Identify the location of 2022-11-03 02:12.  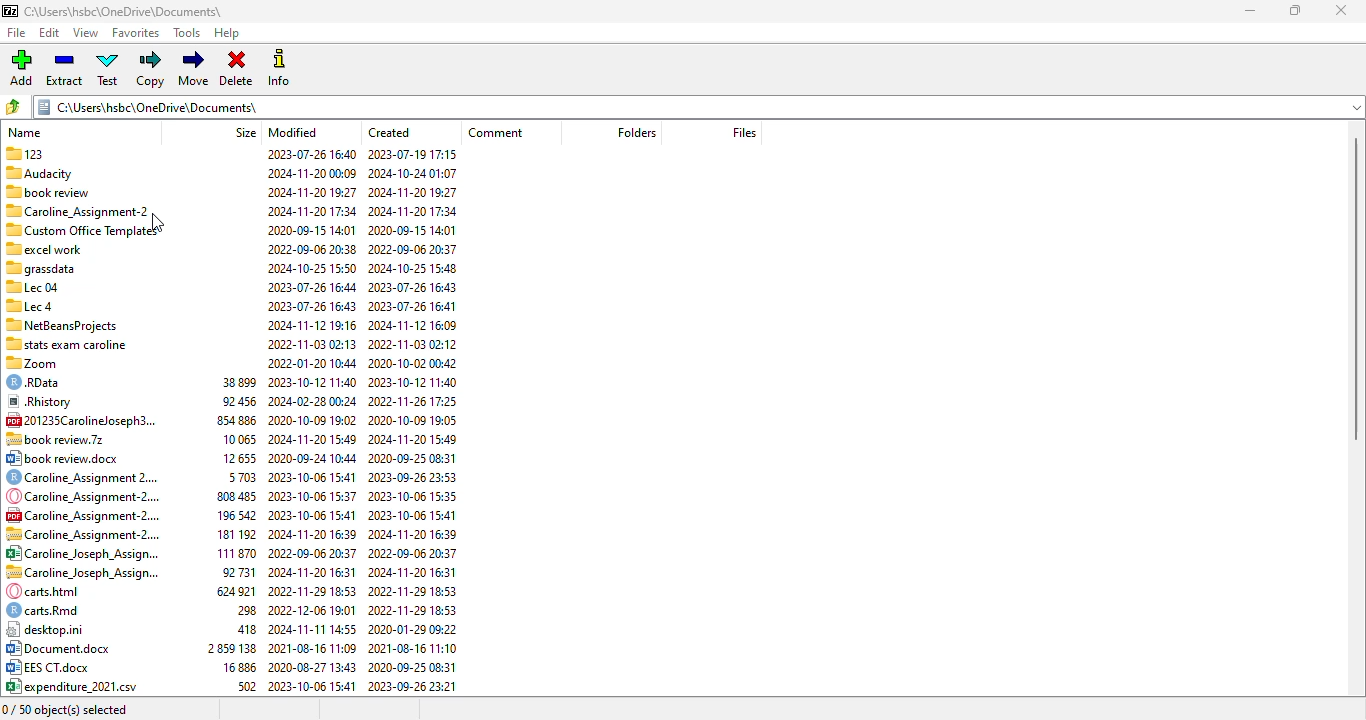
(414, 343).